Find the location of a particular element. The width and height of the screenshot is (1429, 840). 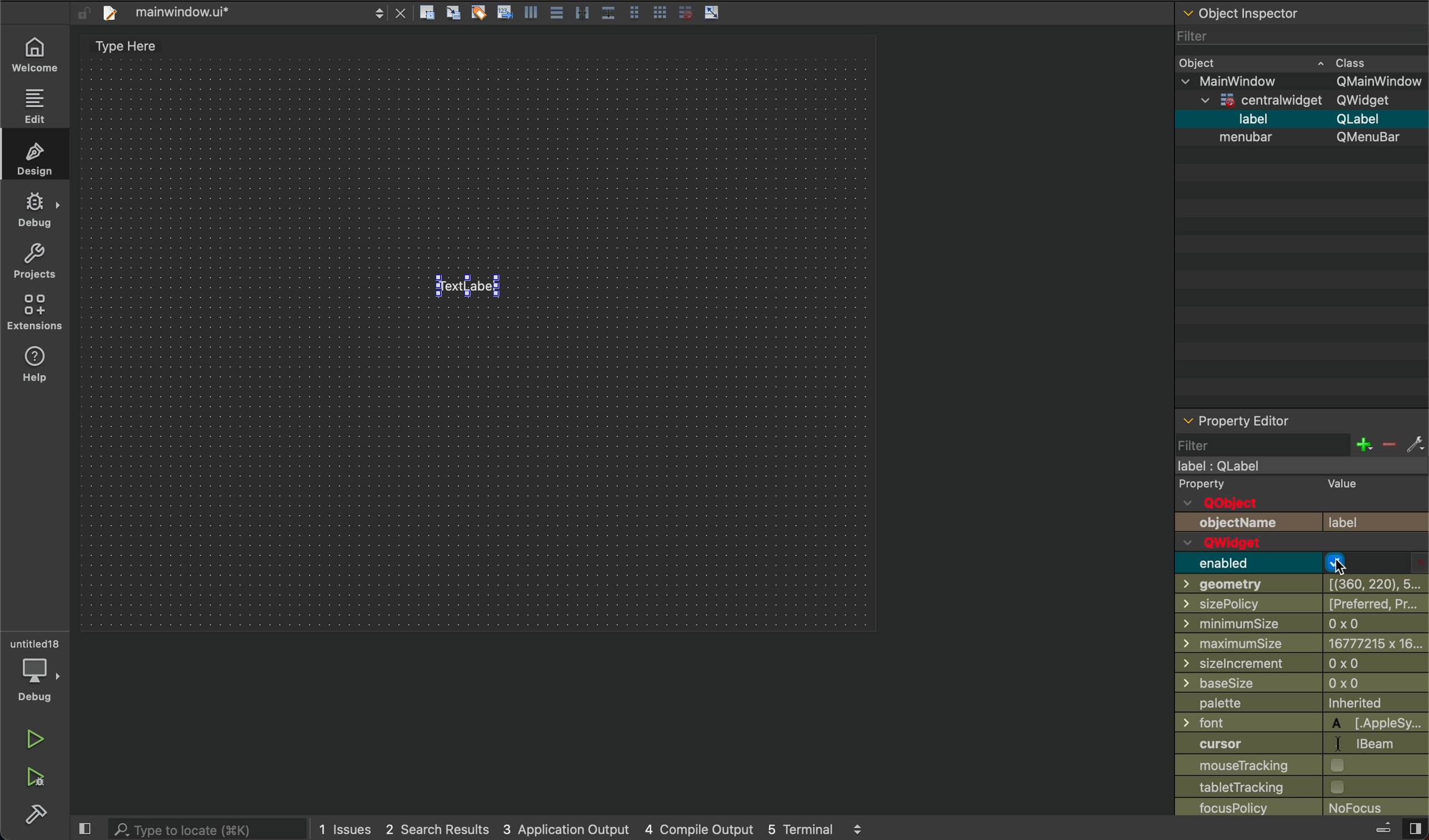

Qmainwindow is located at coordinates (1380, 80).